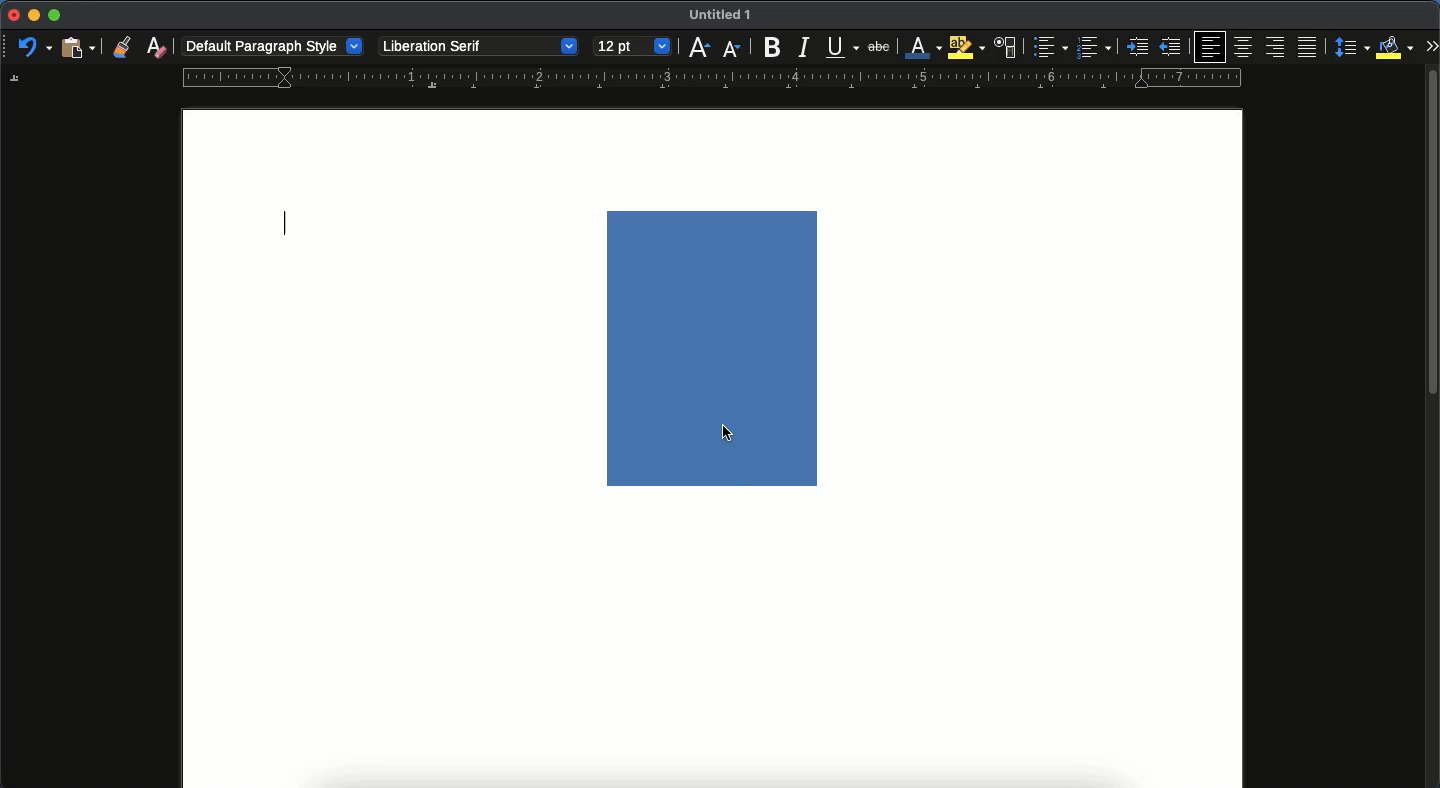 The width and height of the screenshot is (1440, 788). I want to click on strikethrough, so click(881, 47).